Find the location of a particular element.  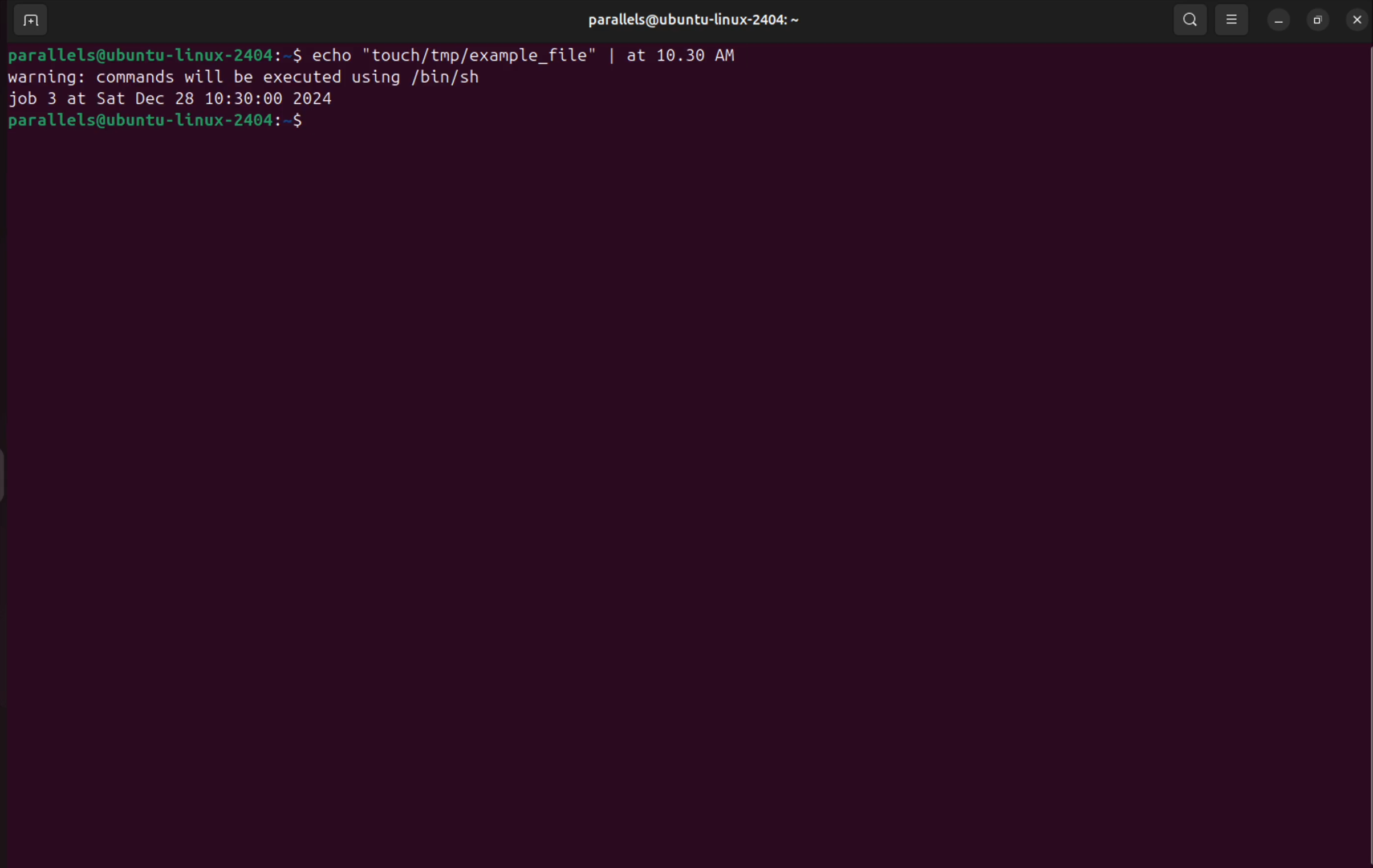

add terminal is located at coordinates (30, 19).